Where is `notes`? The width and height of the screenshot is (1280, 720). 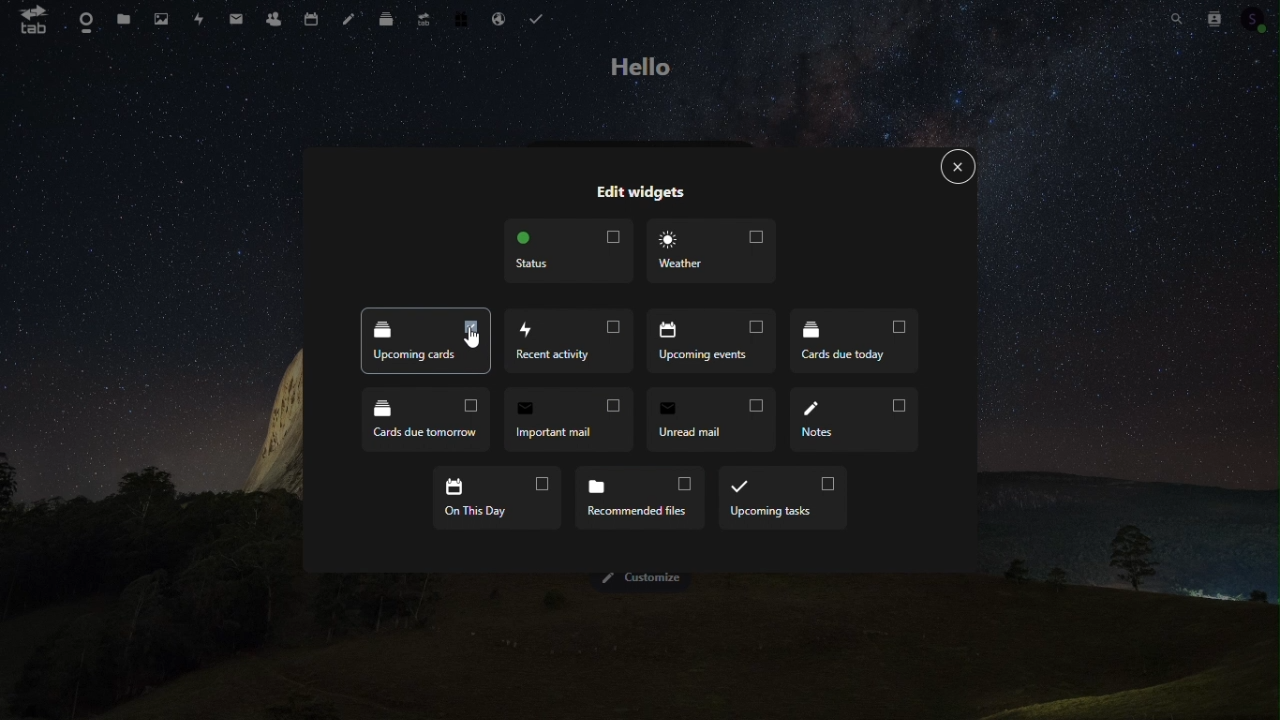 notes is located at coordinates (855, 422).